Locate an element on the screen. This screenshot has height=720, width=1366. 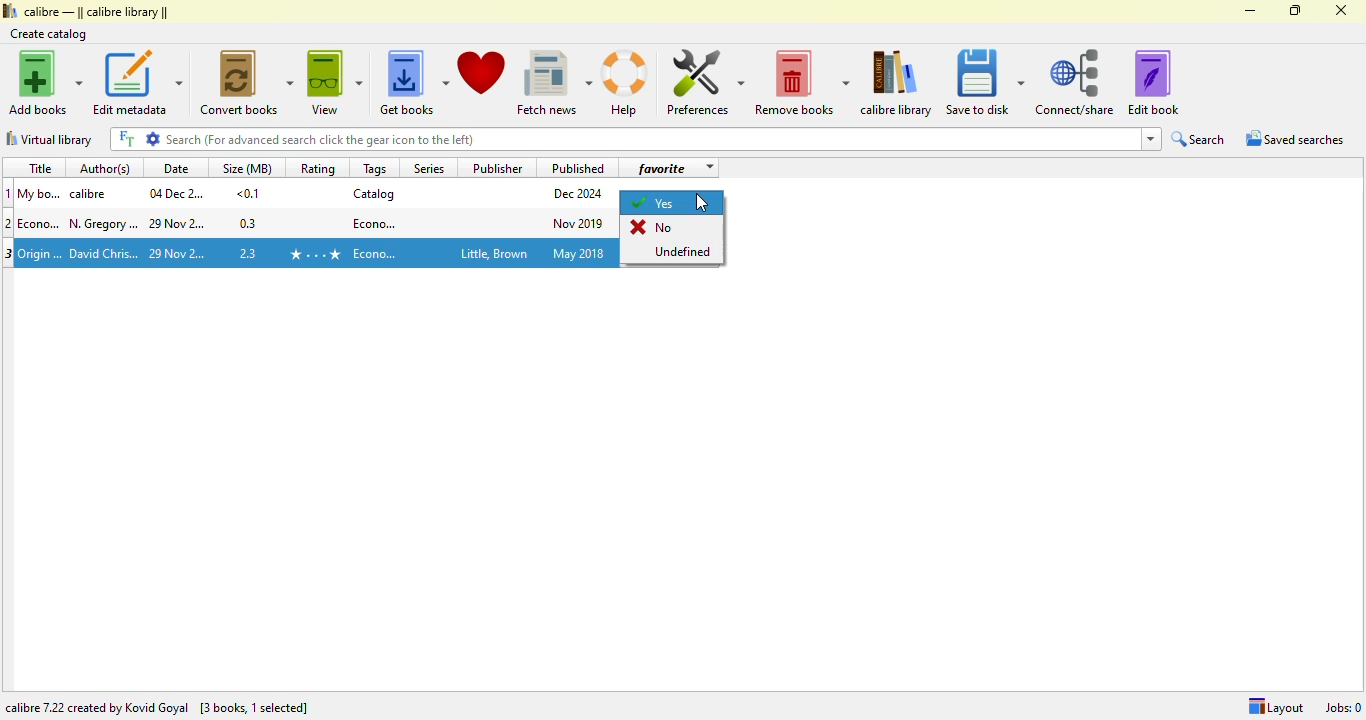
title is located at coordinates (39, 168).